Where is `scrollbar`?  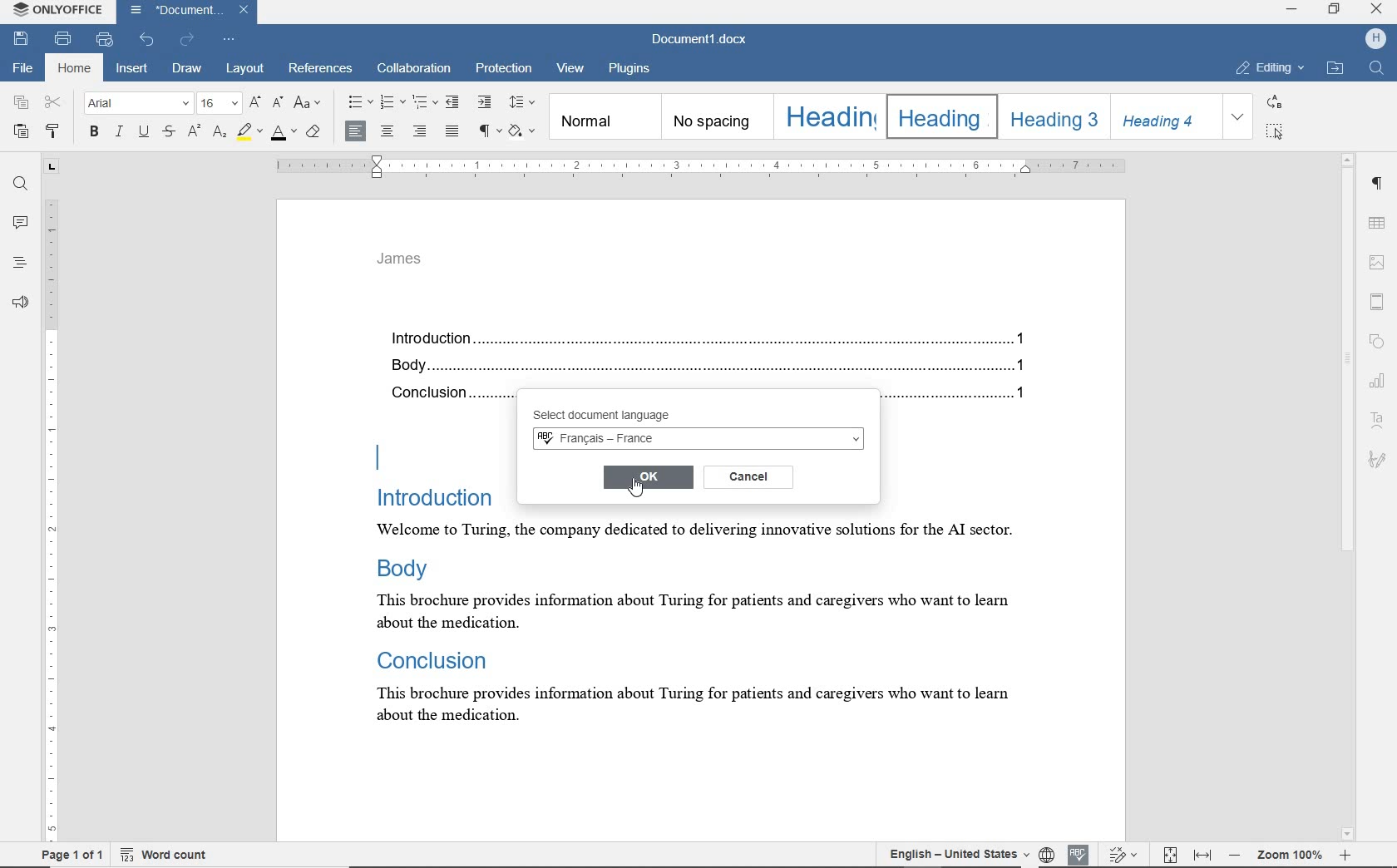
scrollbar is located at coordinates (1348, 496).